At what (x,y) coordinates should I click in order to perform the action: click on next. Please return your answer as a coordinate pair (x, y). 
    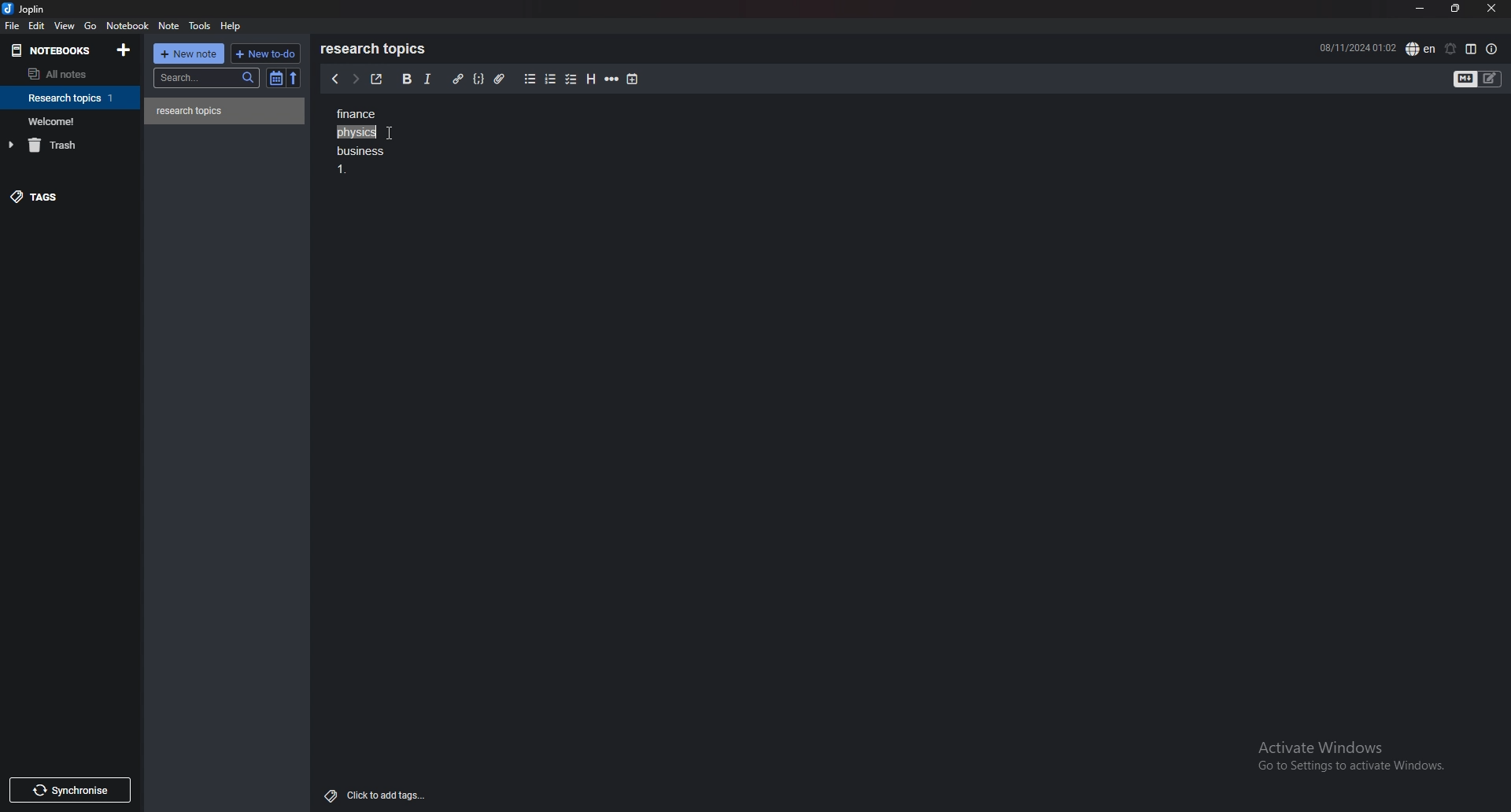
    Looking at the image, I should click on (353, 80).